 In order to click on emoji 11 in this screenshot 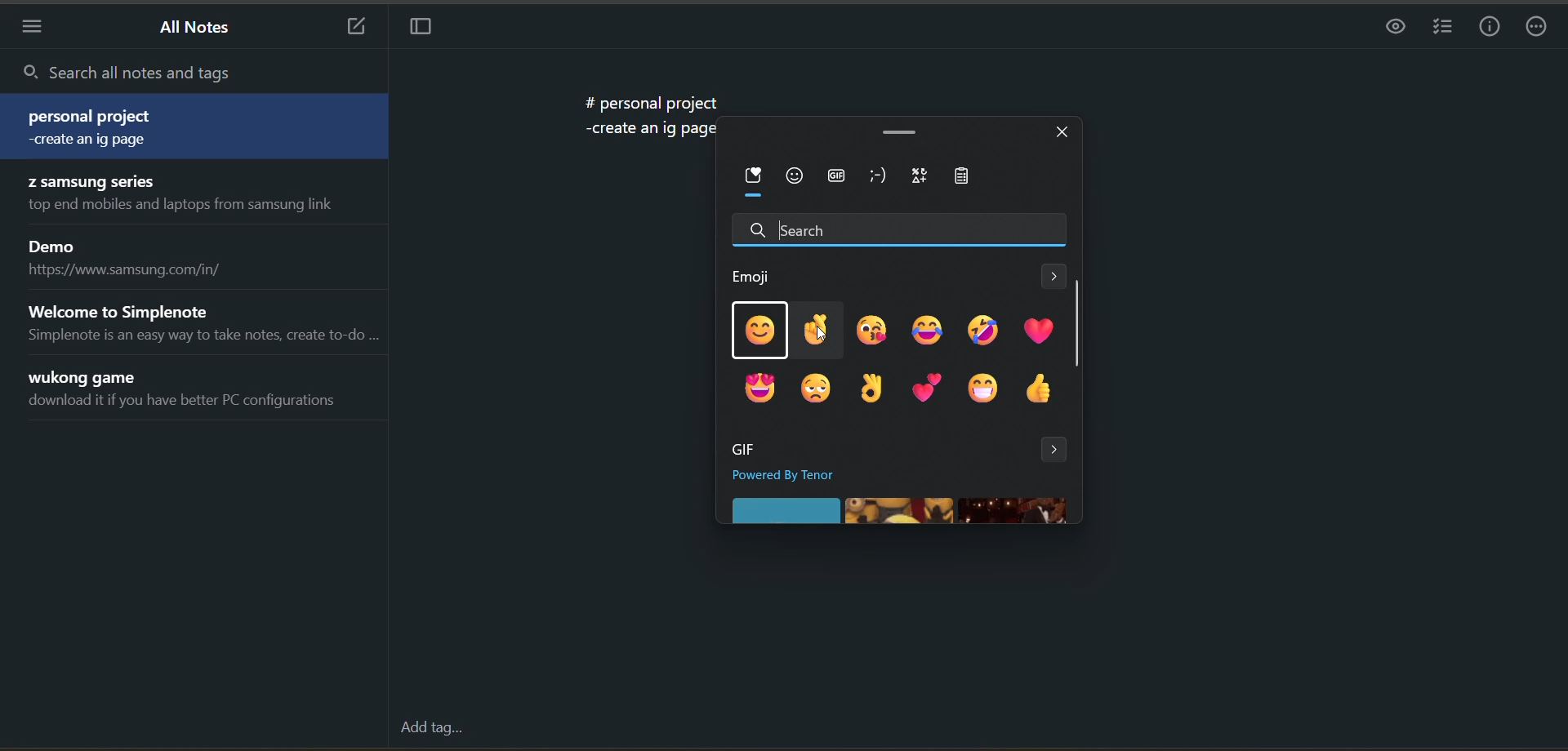, I will do `click(985, 390)`.